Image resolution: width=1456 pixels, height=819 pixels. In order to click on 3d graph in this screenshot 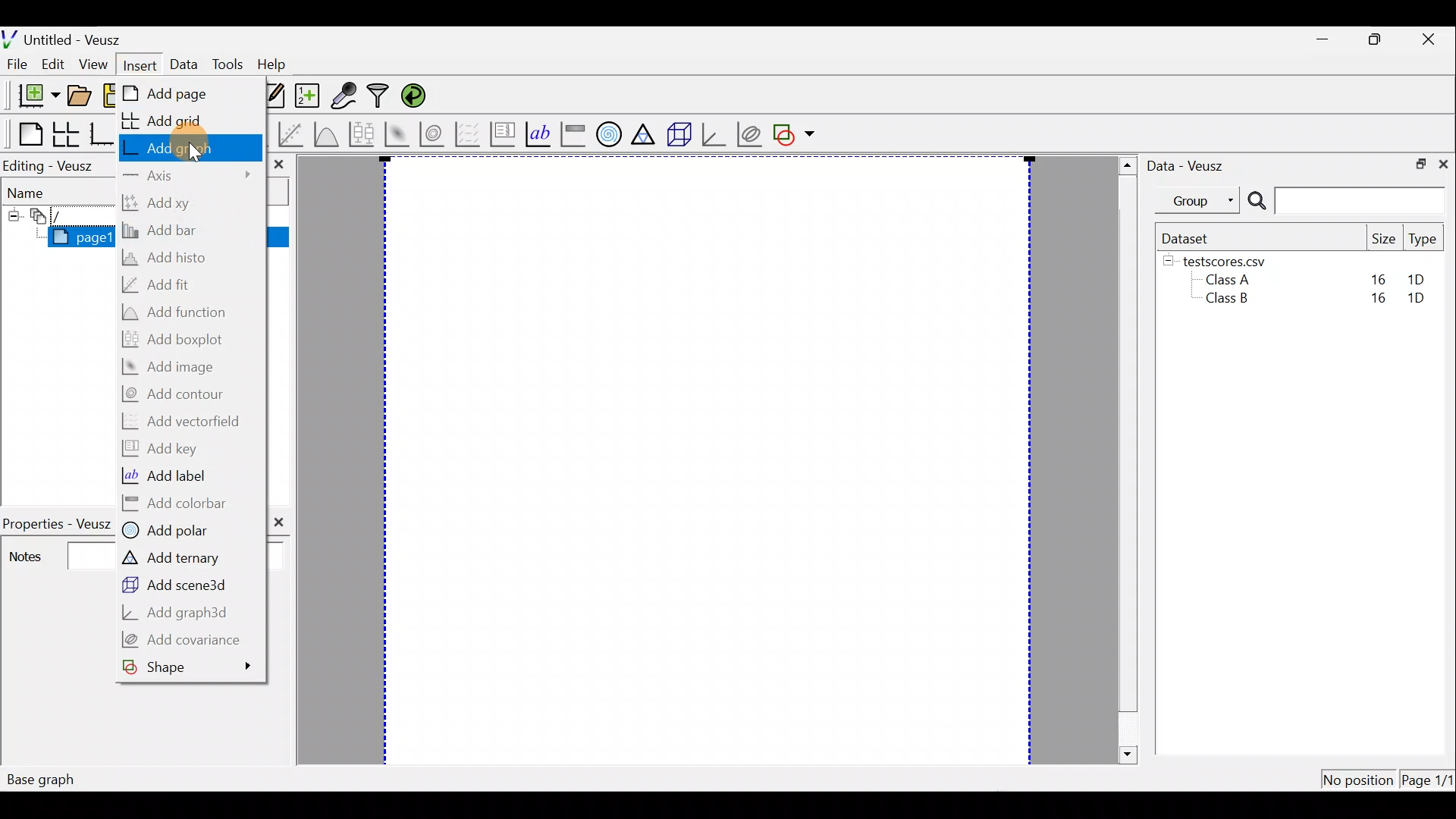, I will do `click(715, 135)`.